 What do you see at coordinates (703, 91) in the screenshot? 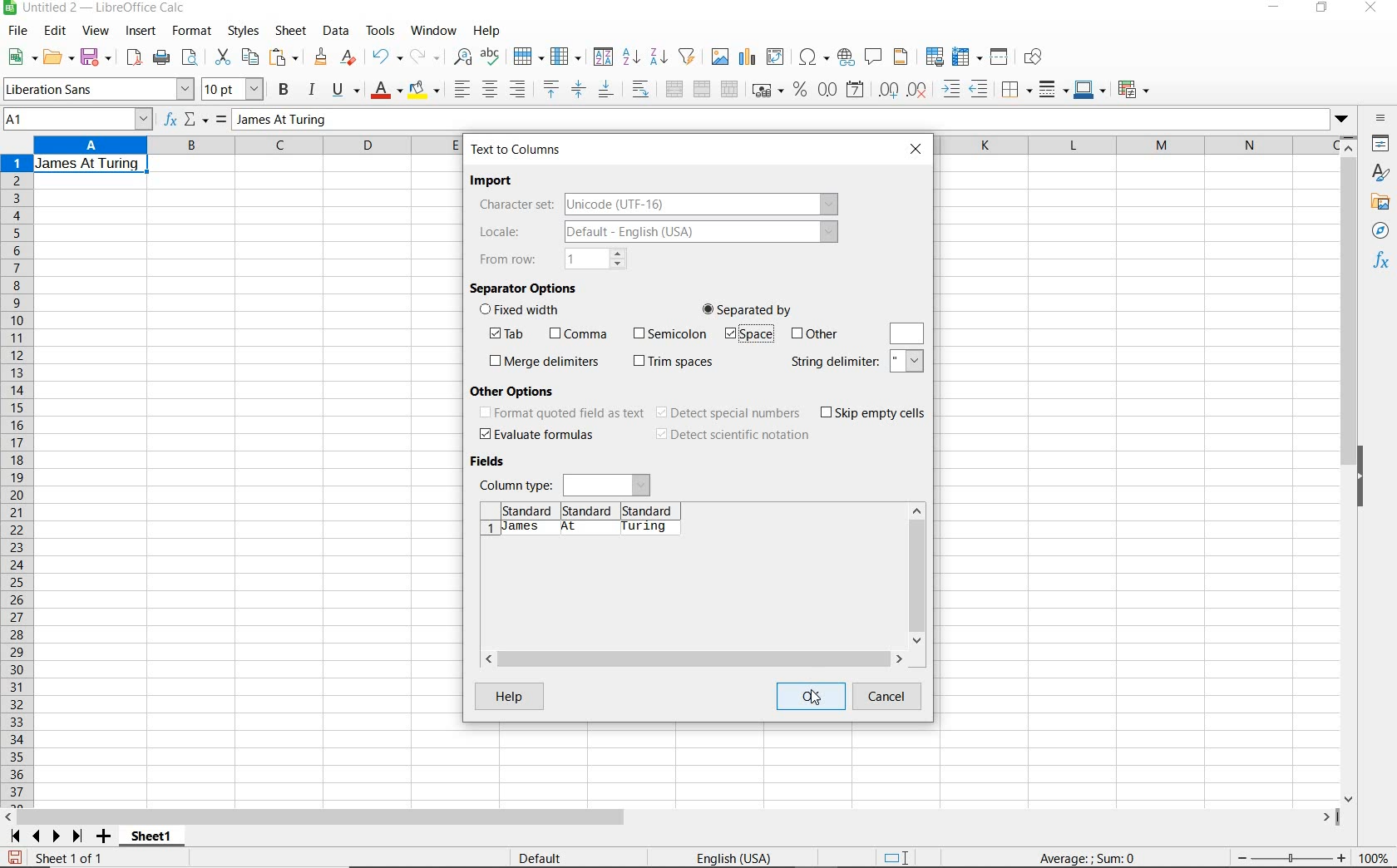
I see `merge cells` at bounding box center [703, 91].